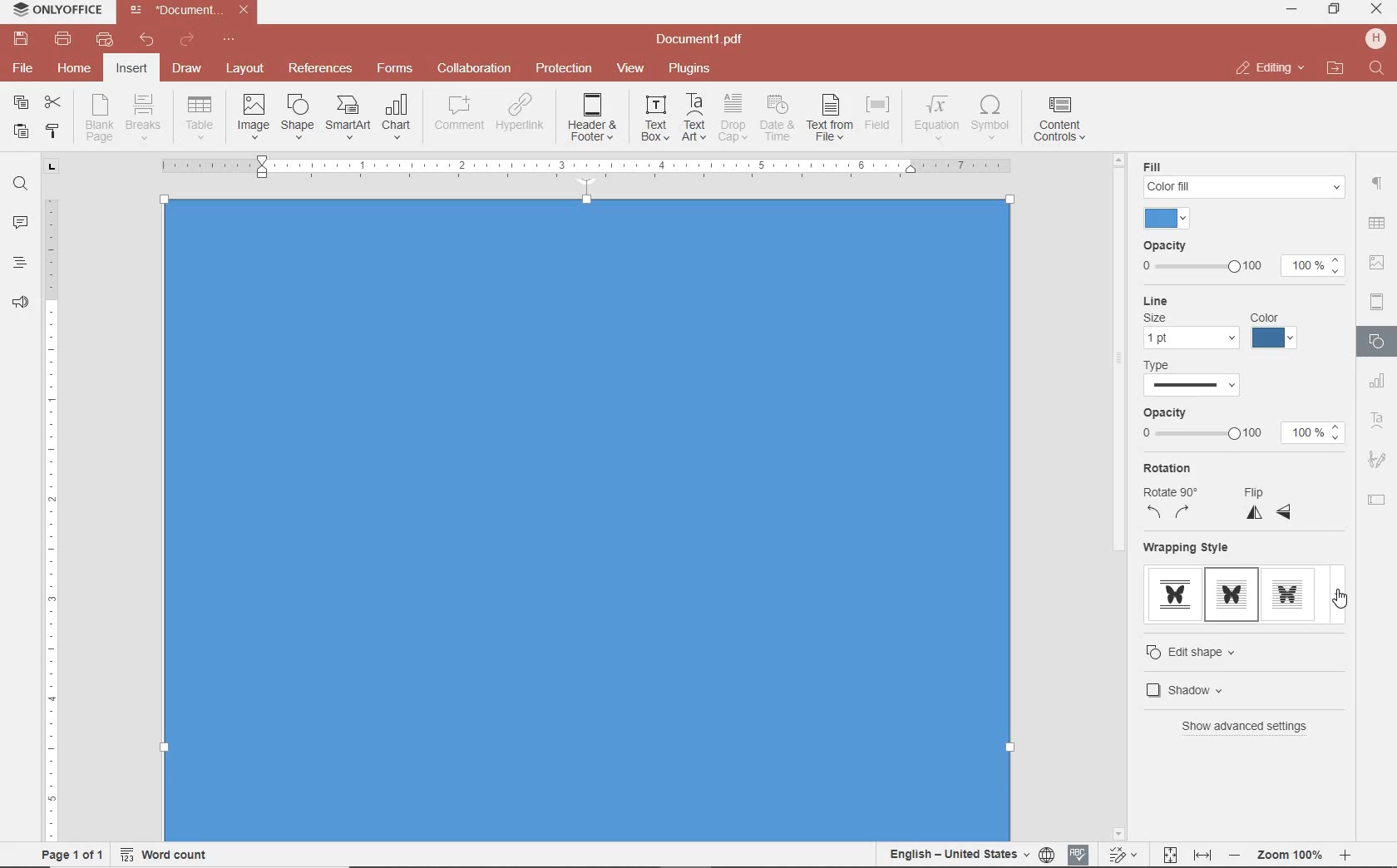 The width and height of the screenshot is (1397, 868). What do you see at coordinates (1121, 856) in the screenshot?
I see `track change` at bounding box center [1121, 856].